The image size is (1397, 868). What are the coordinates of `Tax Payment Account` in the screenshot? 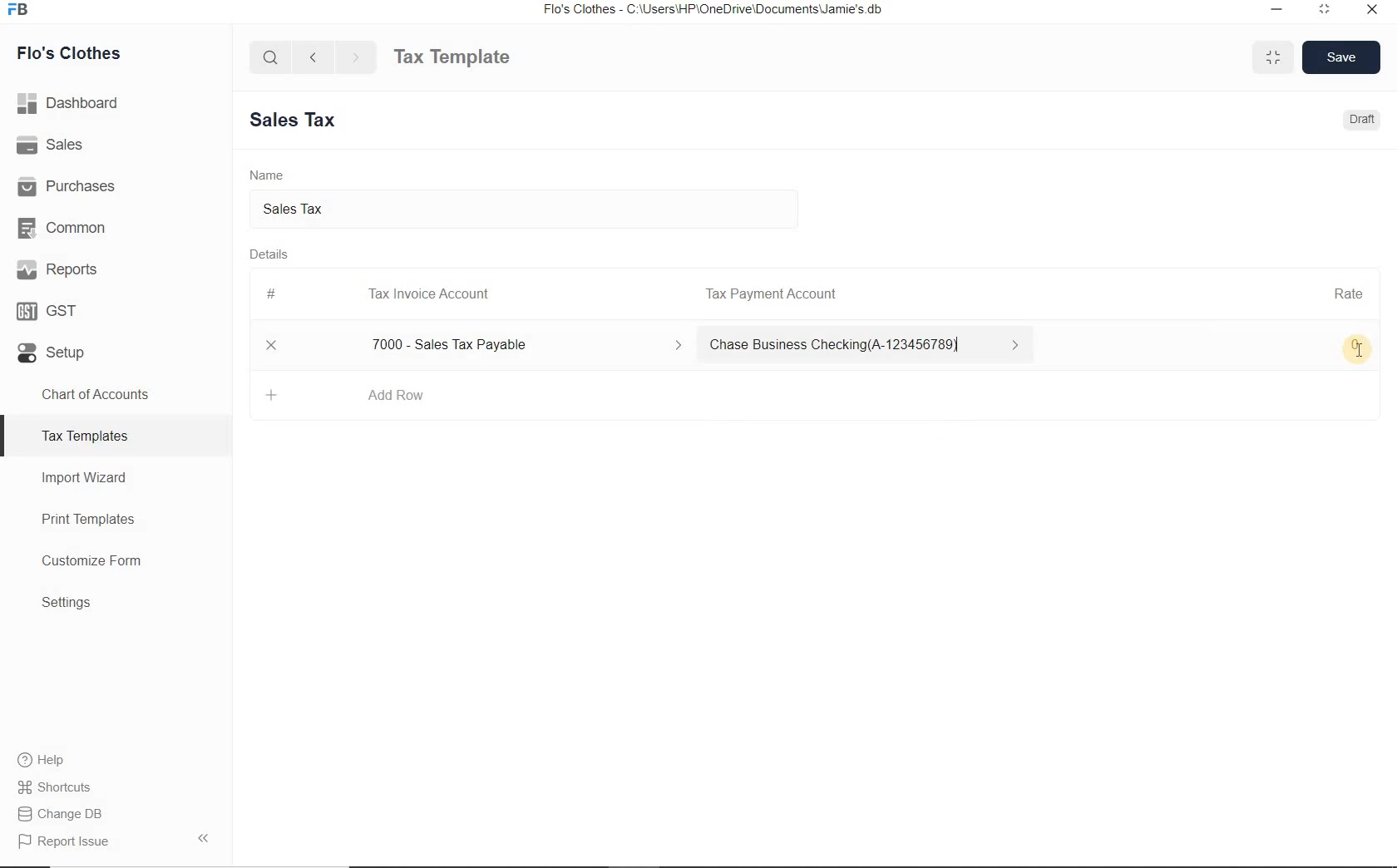 It's located at (769, 294).